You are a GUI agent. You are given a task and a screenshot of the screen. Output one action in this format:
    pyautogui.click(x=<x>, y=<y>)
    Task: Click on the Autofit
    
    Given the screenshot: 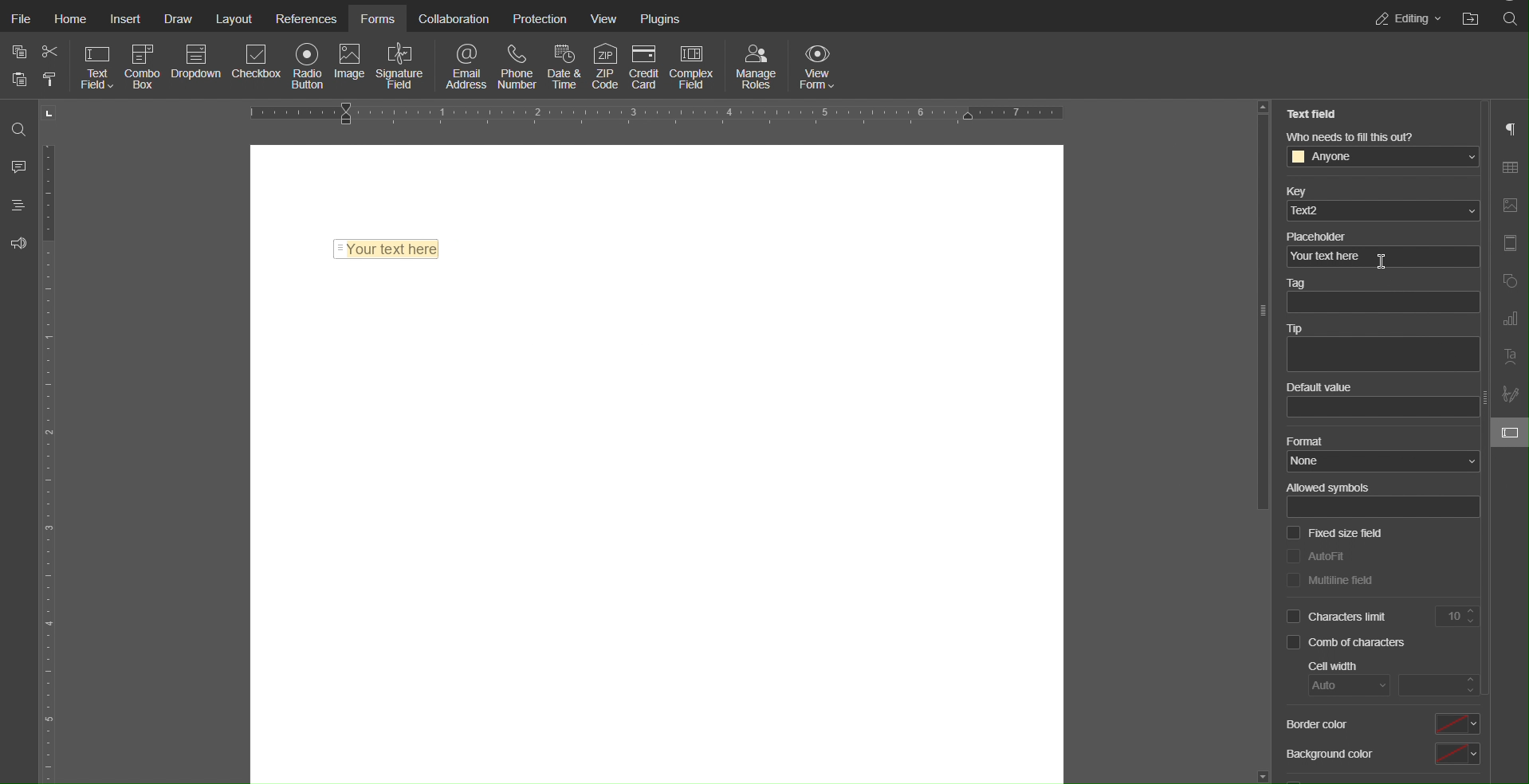 What is the action you would take?
    pyautogui.click(x=1318, y=555)
    